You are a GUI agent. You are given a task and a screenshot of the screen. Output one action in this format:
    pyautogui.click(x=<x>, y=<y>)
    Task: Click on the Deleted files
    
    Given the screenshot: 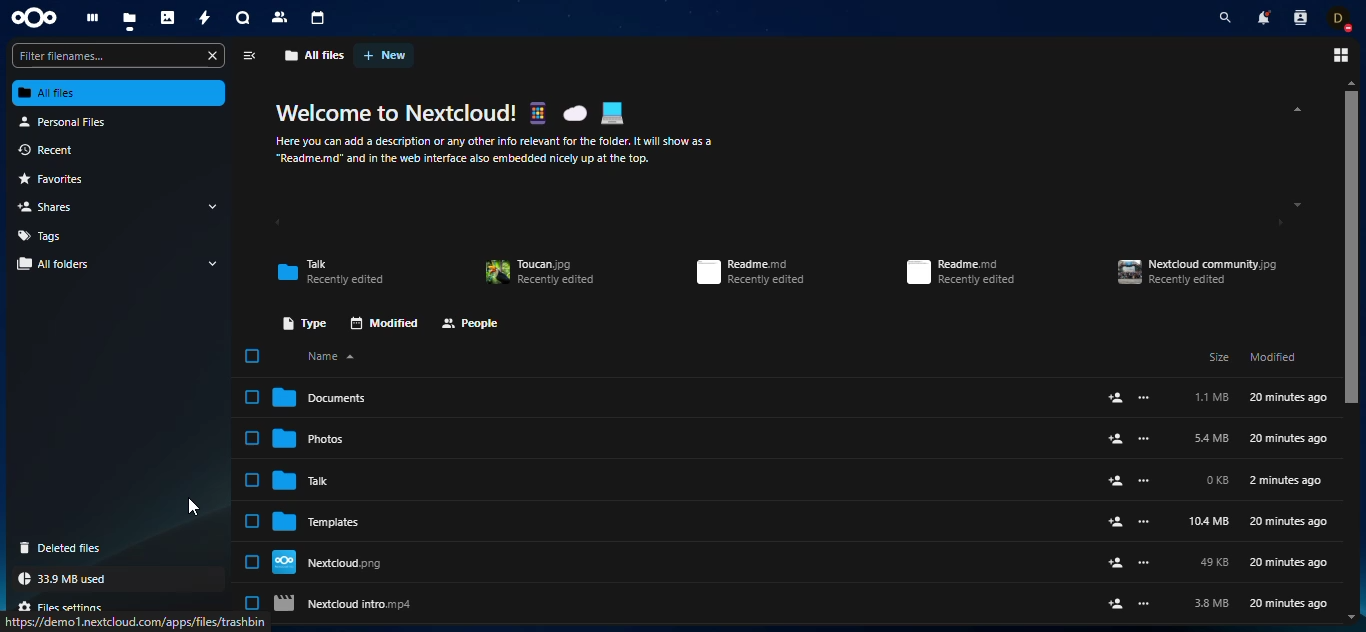 What is the action you would take?
    pyautogui.click(x=59, y=548)
    